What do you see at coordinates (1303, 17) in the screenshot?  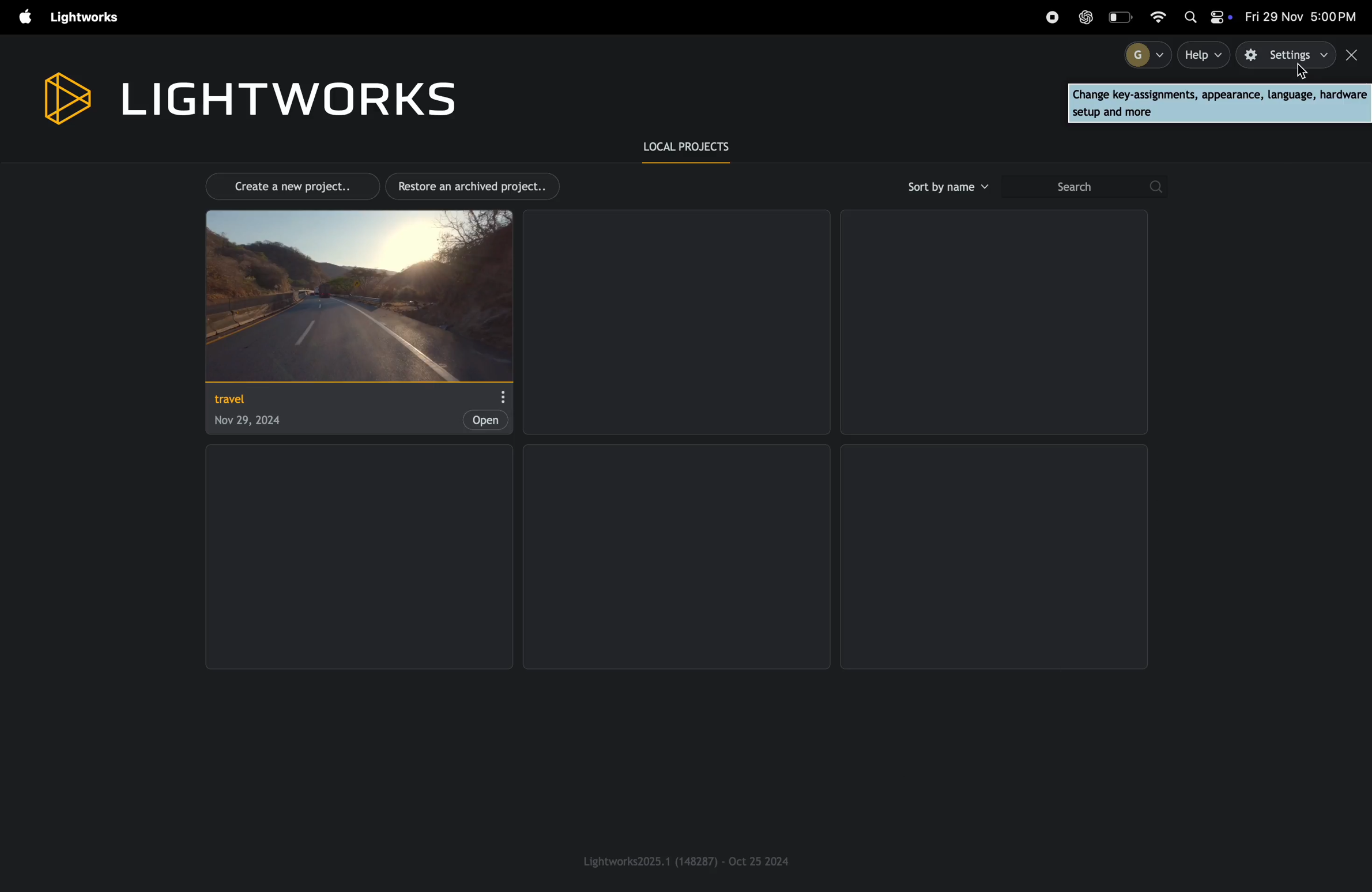 I see `date and time` at bounding box center [1303, 17].